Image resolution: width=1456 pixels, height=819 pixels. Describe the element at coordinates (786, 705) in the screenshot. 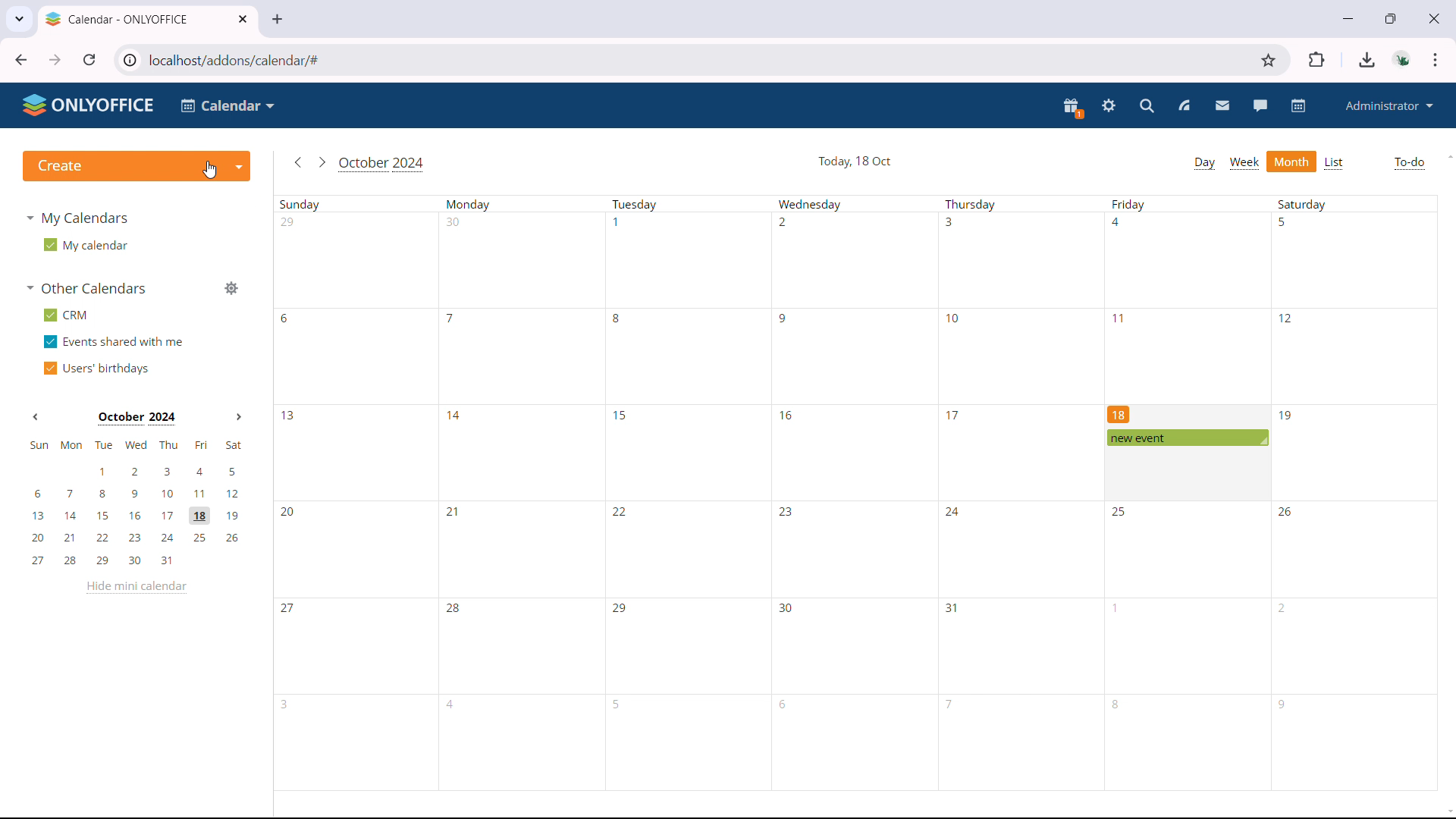

I see `6` at that location.